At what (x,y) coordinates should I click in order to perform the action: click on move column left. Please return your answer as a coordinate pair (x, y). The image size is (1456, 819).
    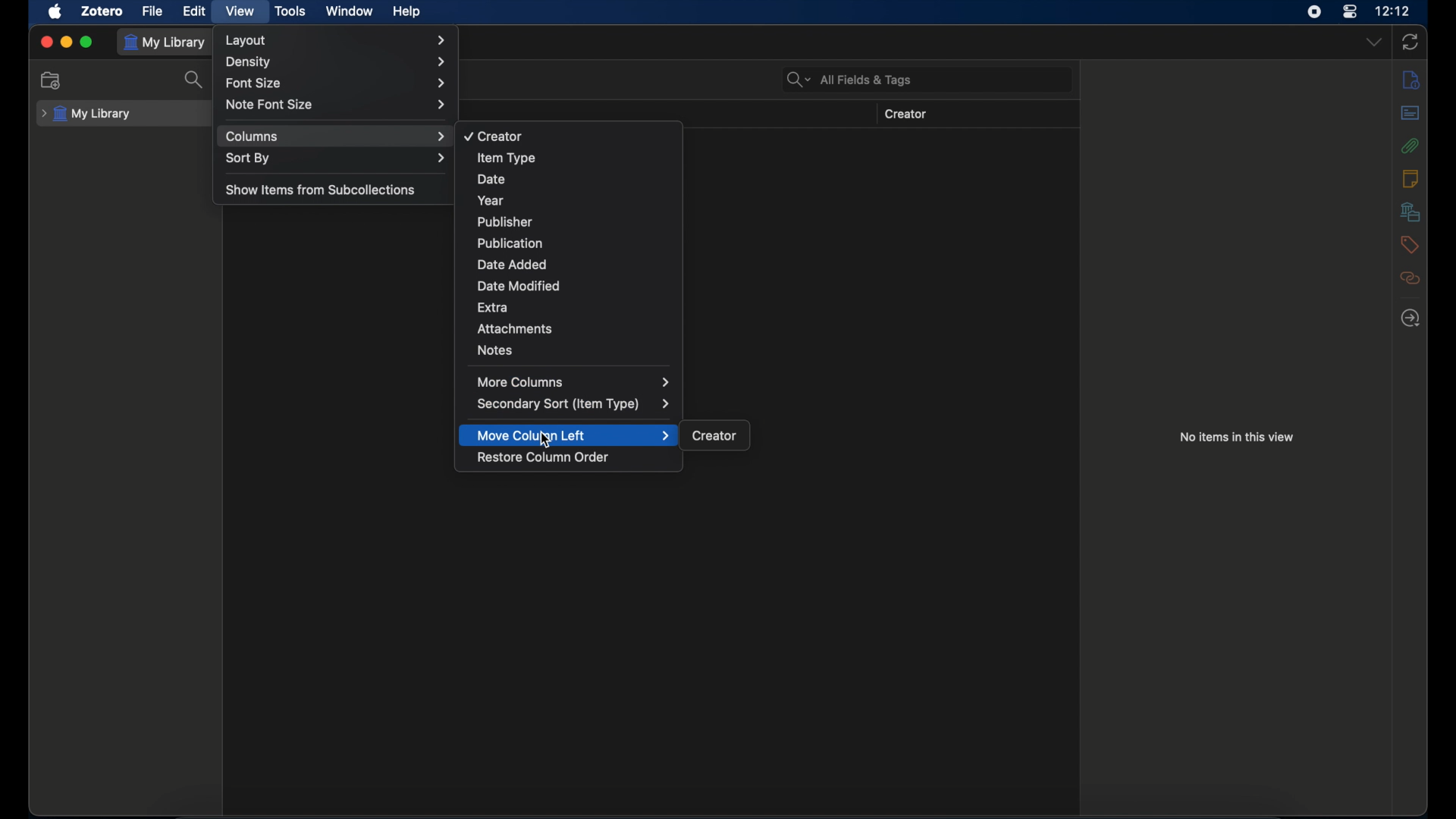
    Looking at the image, I should click on (574, 435).